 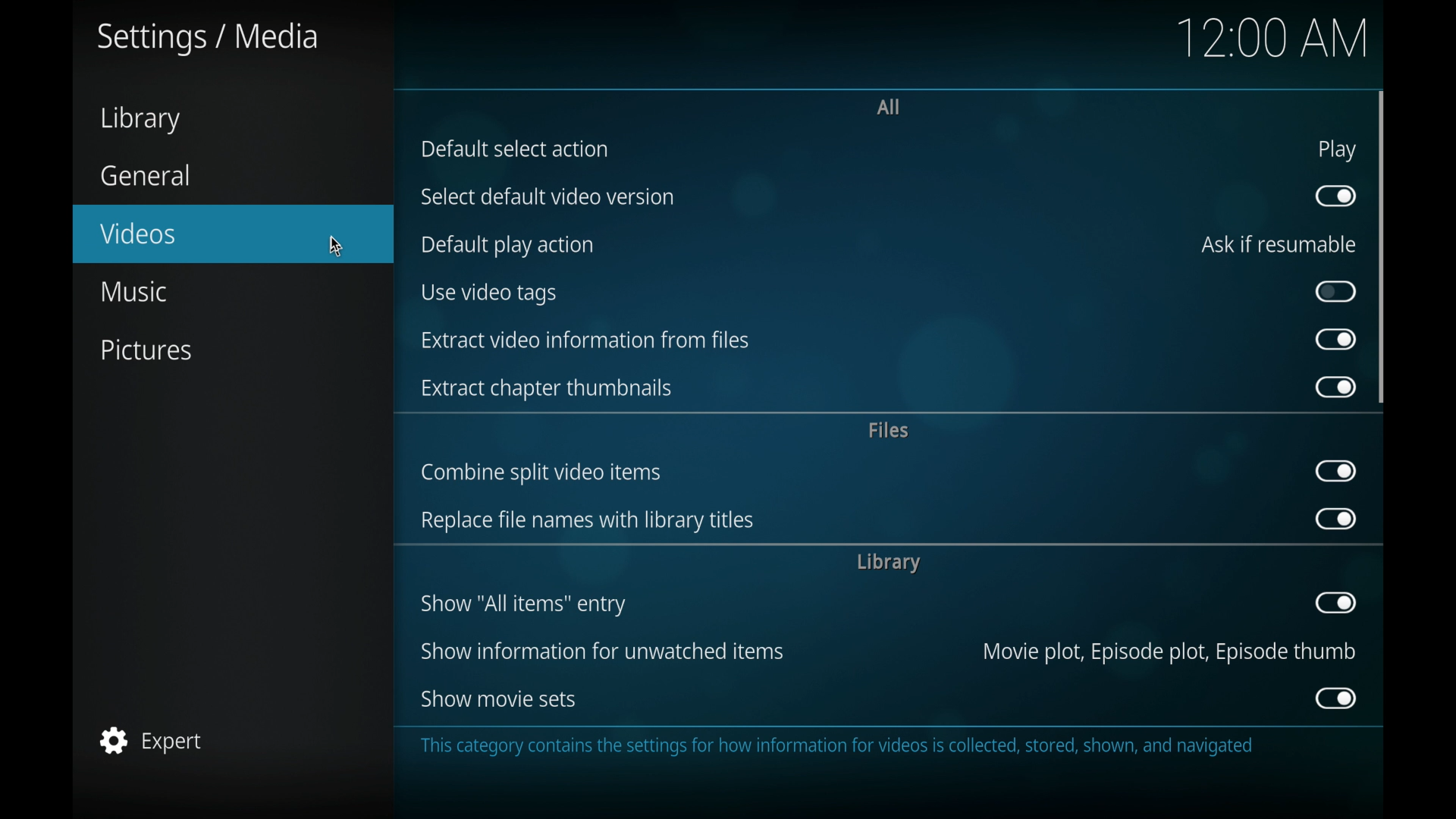 What do you see at coordinates (1273, 39) in the screenshot?
I see `12.00 am` at bounding box center [1273, 39].